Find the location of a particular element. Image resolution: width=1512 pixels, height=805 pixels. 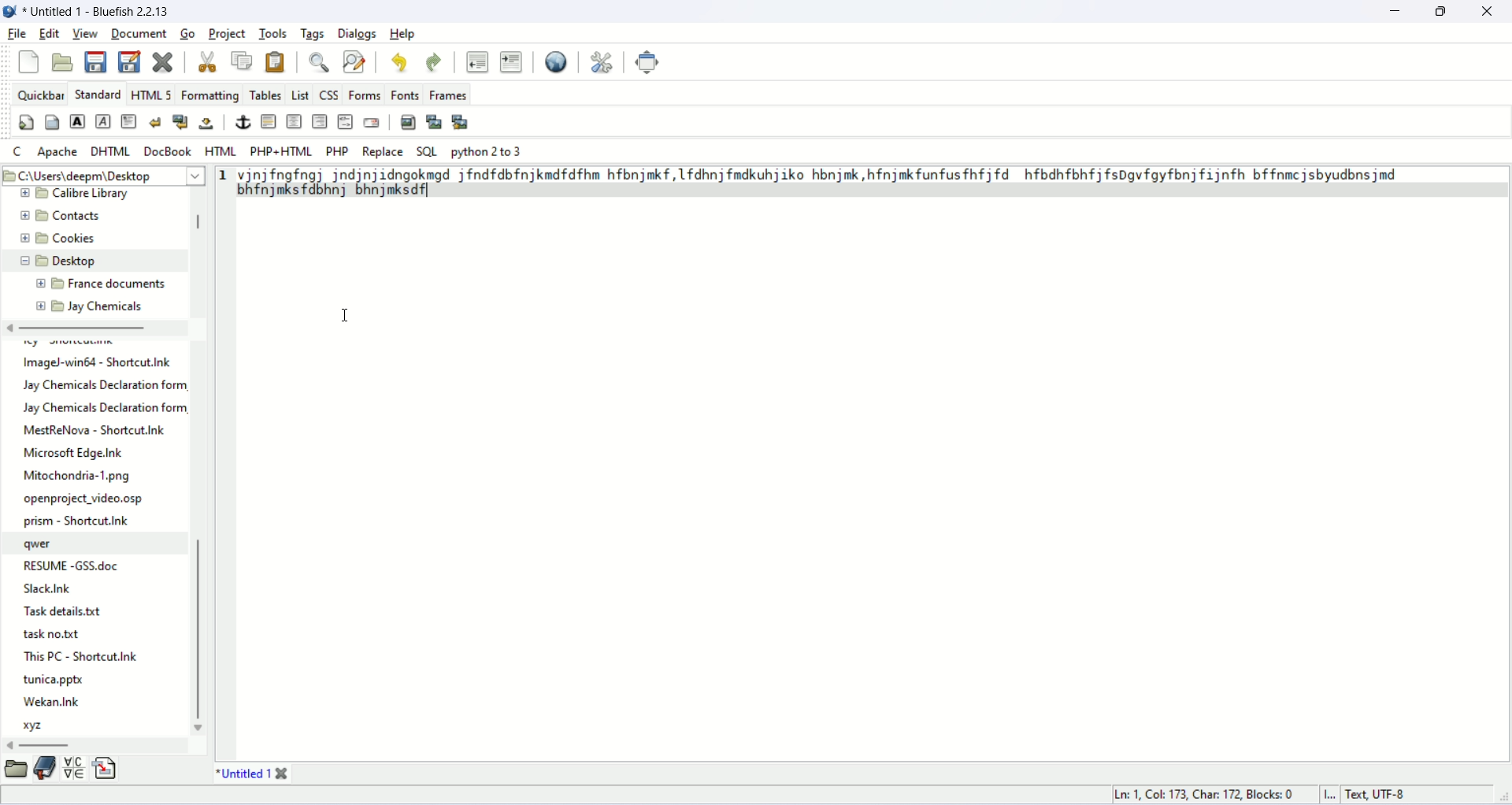

file is located at coordinates (19, 33).